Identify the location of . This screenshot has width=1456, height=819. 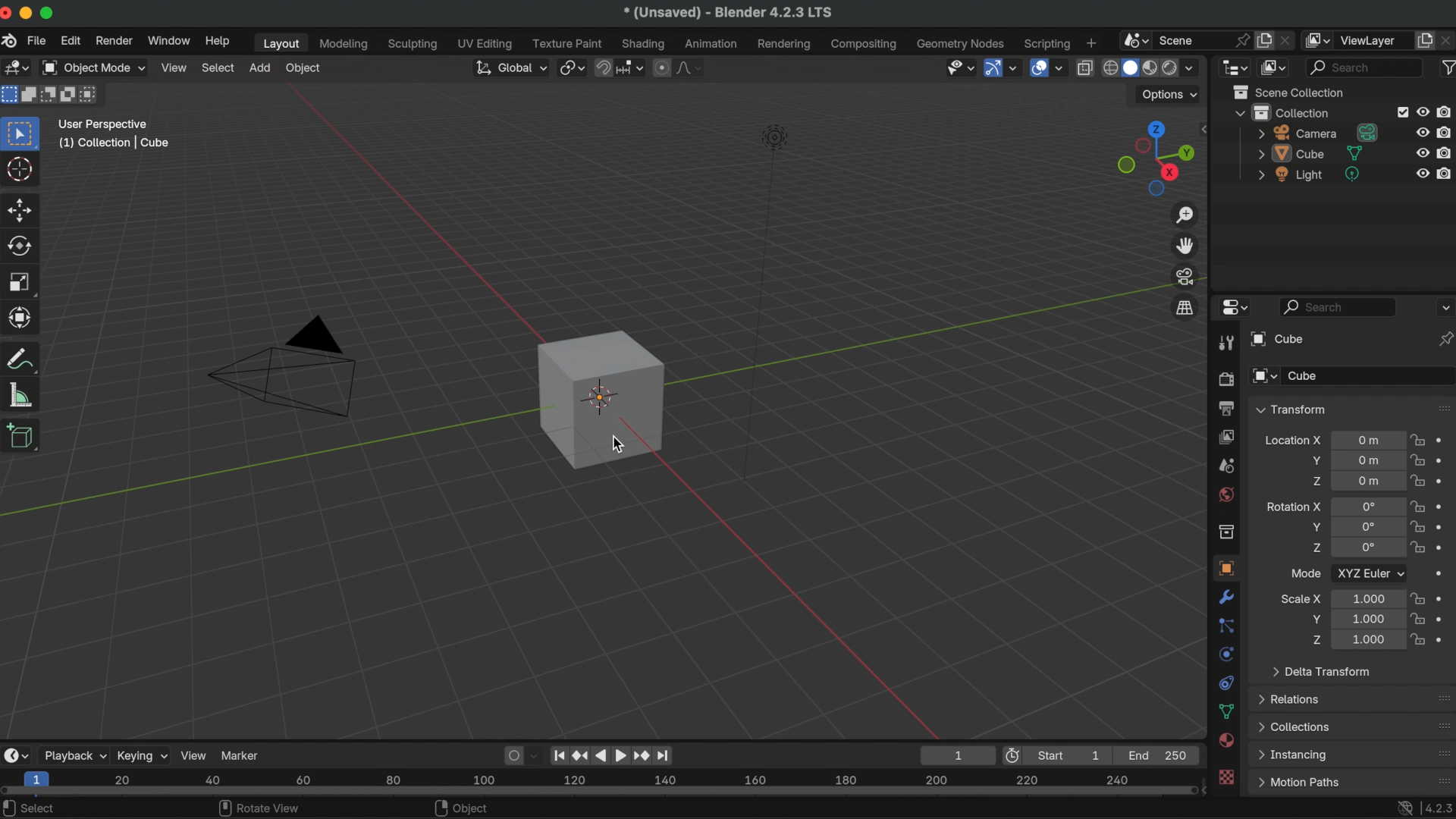
(1298, 783).